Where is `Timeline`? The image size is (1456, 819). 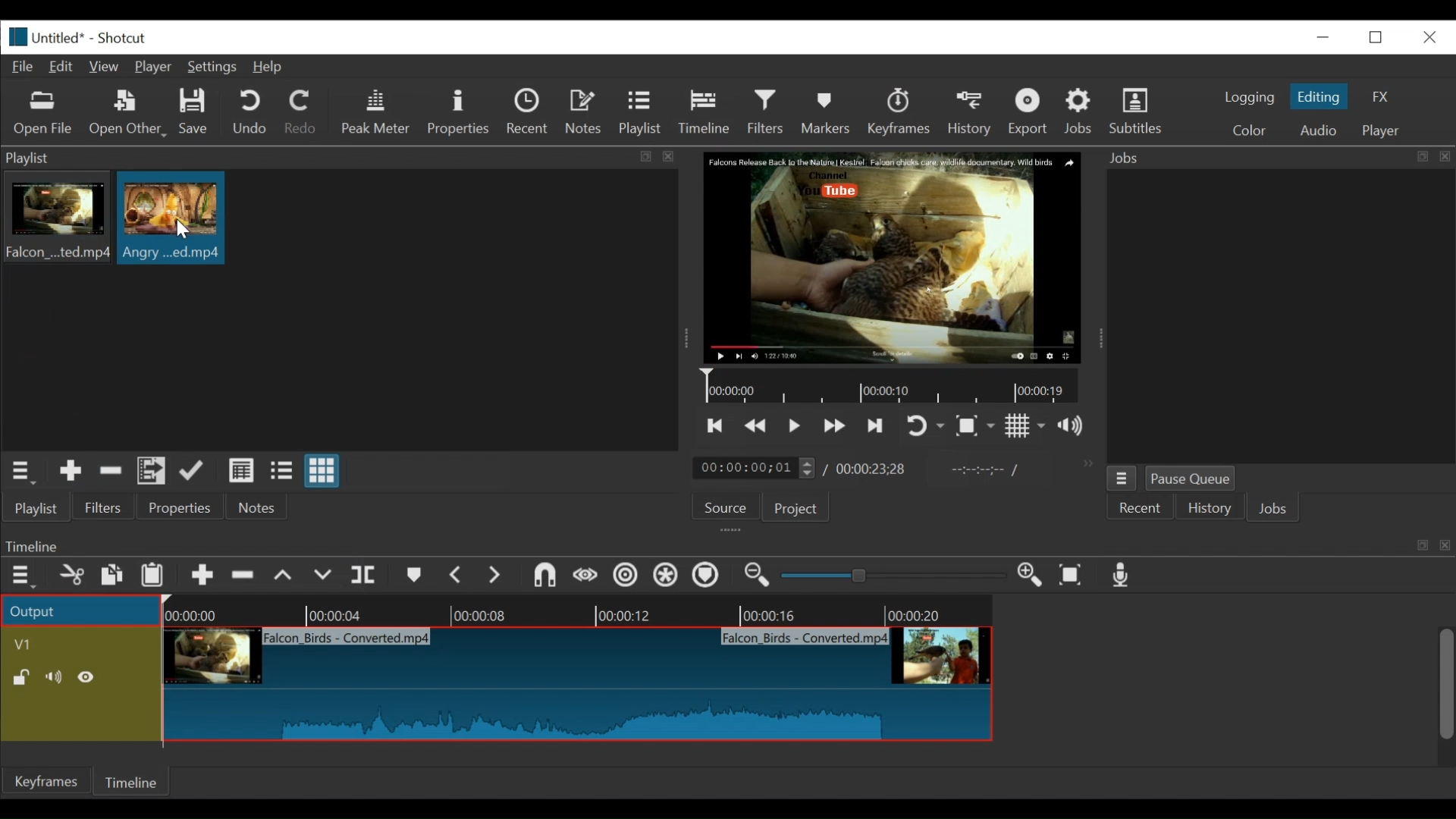 Timeline is located at coordinates (134, 780).